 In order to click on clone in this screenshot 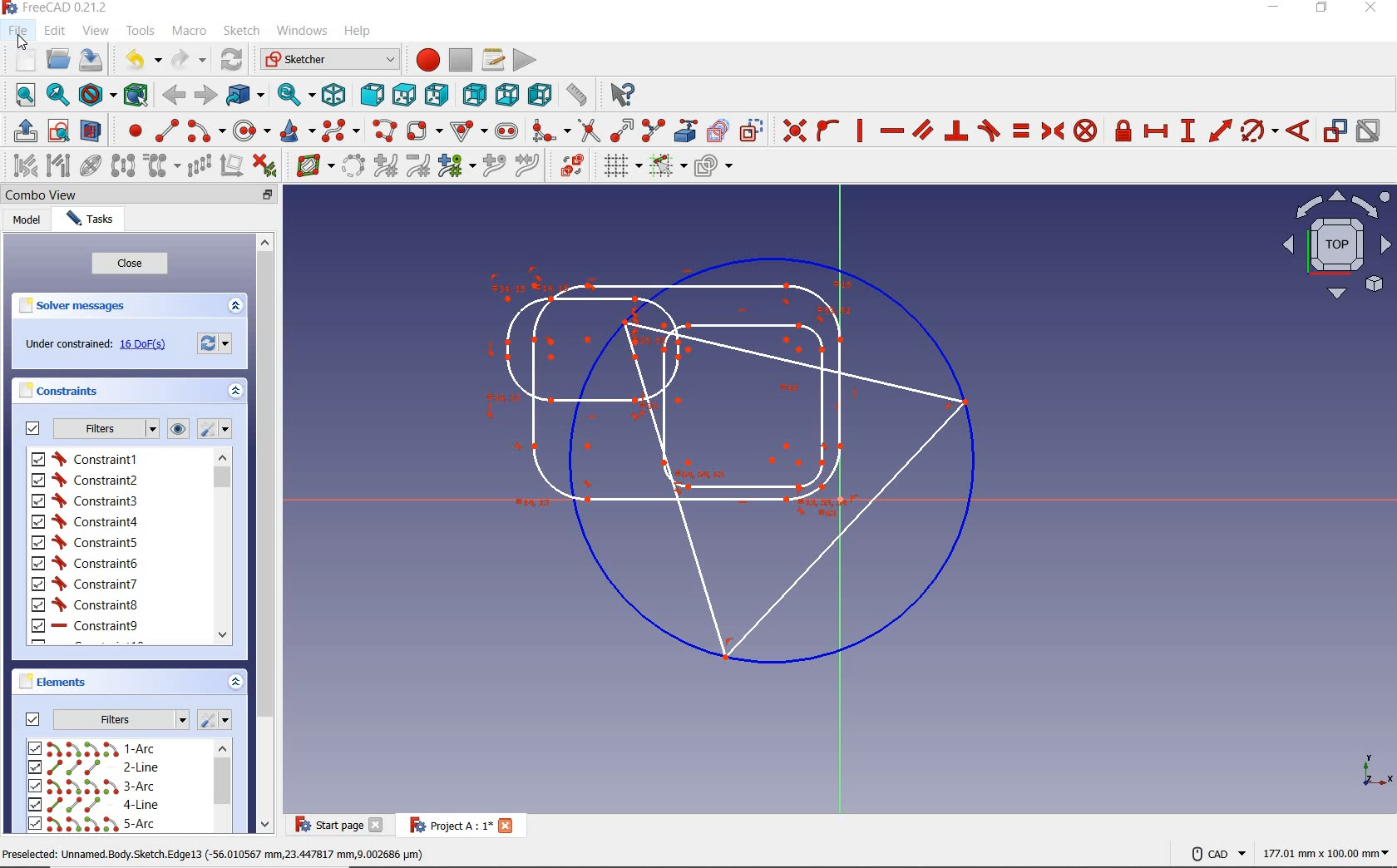, I will do `click(158, 167)`.